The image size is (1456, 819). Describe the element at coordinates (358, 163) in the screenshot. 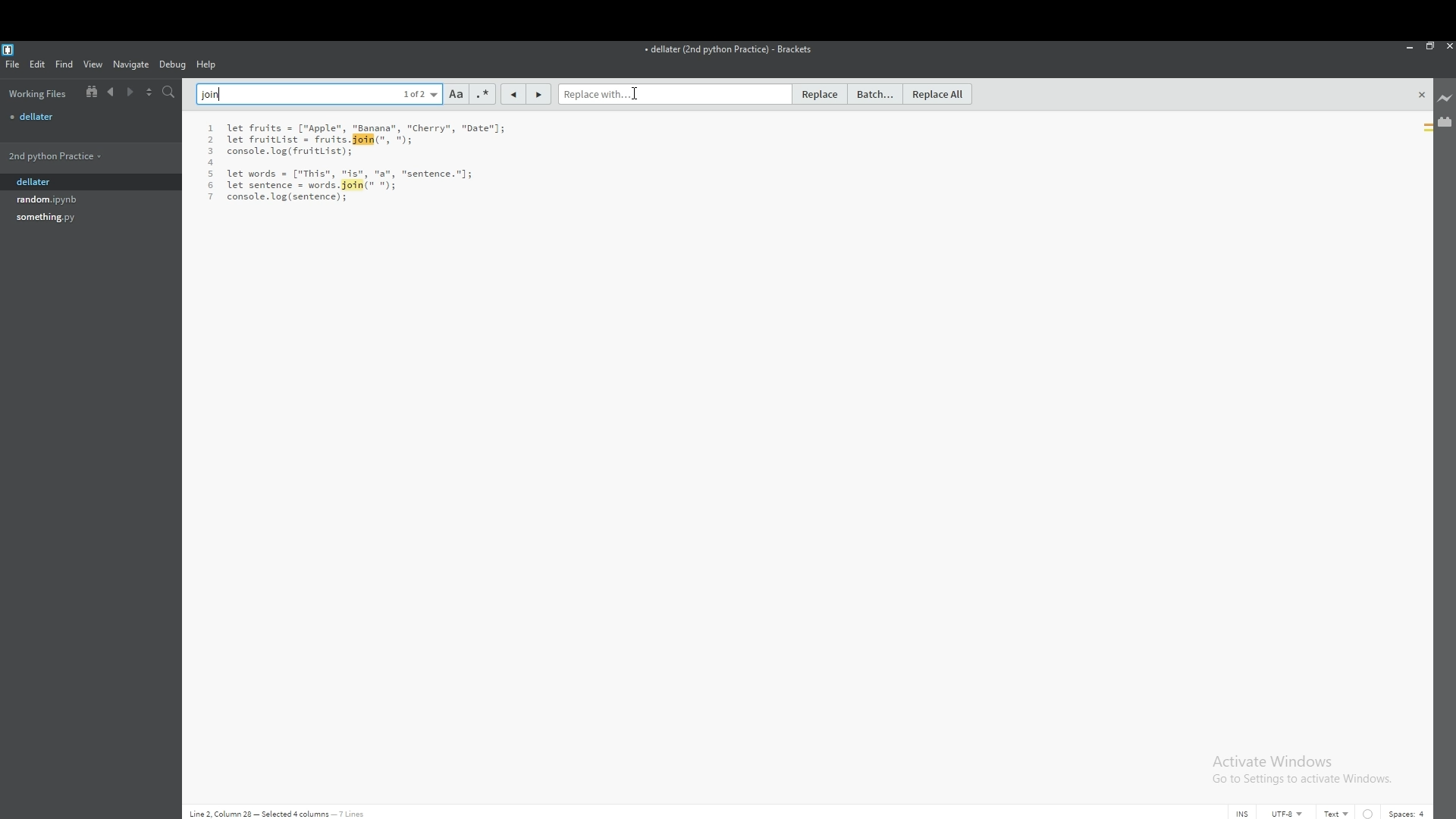

I see `text` at that location.